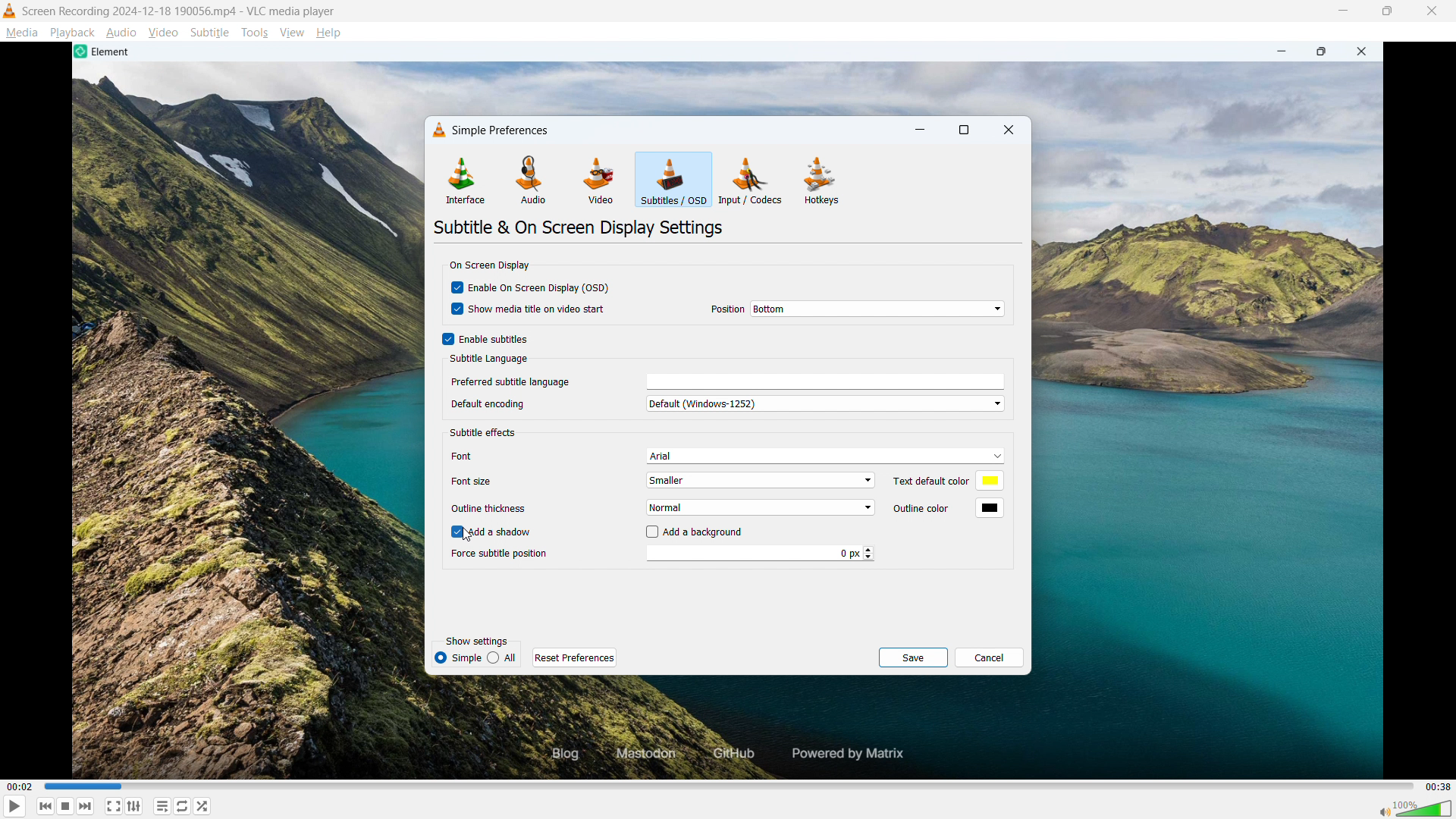 The height and width of the screenshot is (819, 1456). What do you see at coordinates (113, 805) in the screenshot?
I see `Full screen ` at bounding box center [113, 805].